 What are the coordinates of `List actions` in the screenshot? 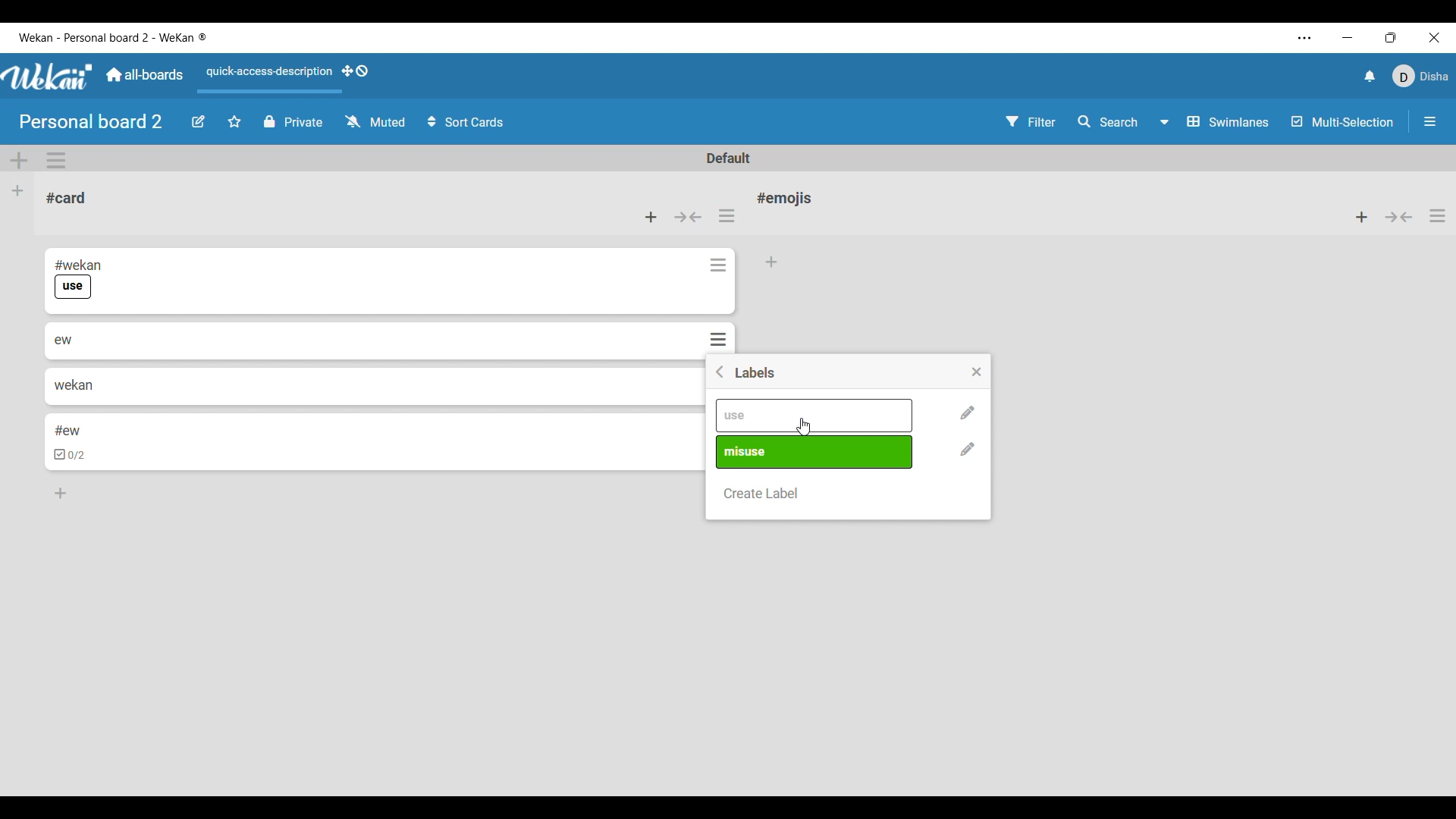 It's located at (1437, 216).